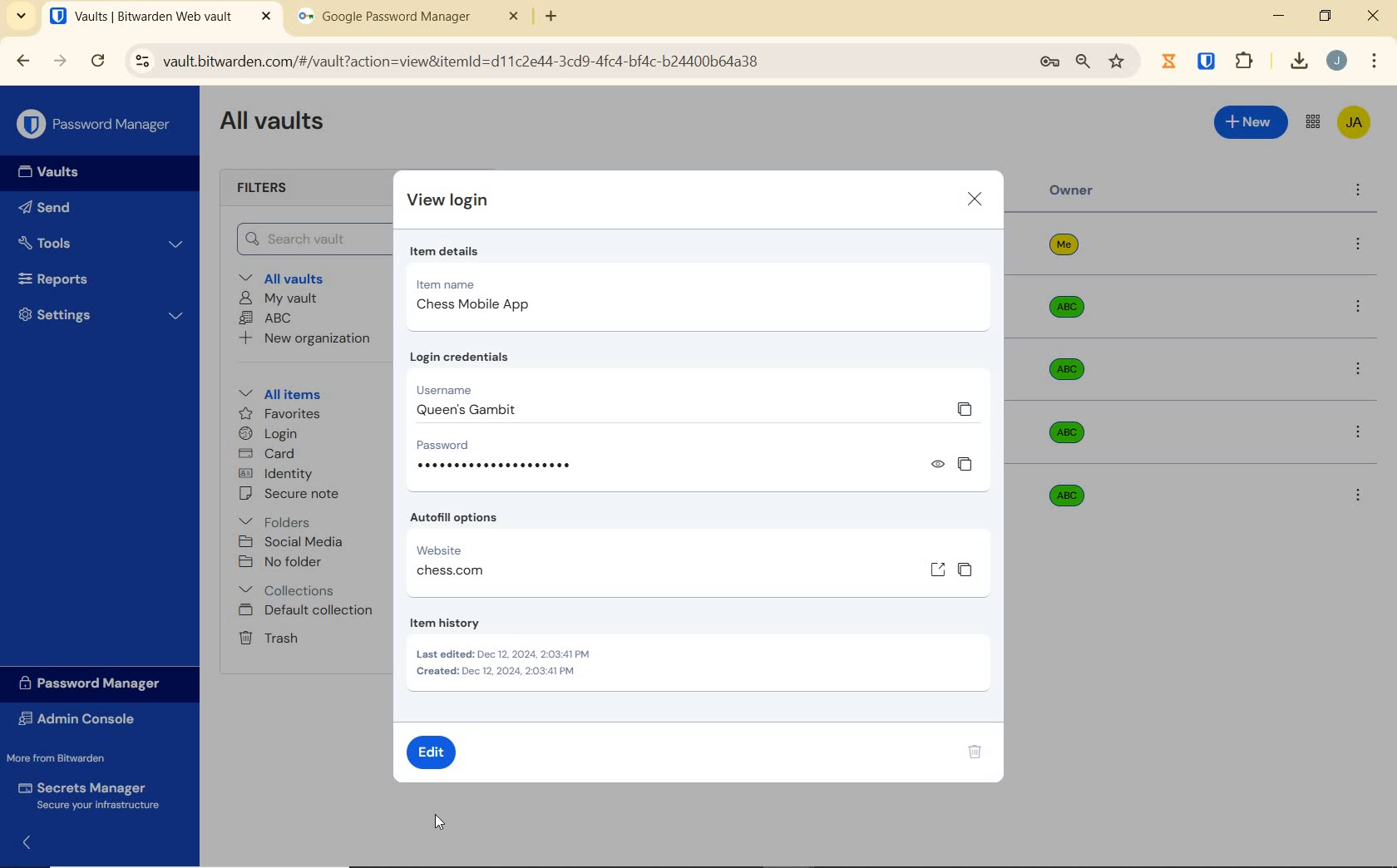 Image resolution: width=1397 pixels, height=868 pixels. Describe the element at coordinates (309, 239) in the screenshot. I see `Search Vault` at that location.